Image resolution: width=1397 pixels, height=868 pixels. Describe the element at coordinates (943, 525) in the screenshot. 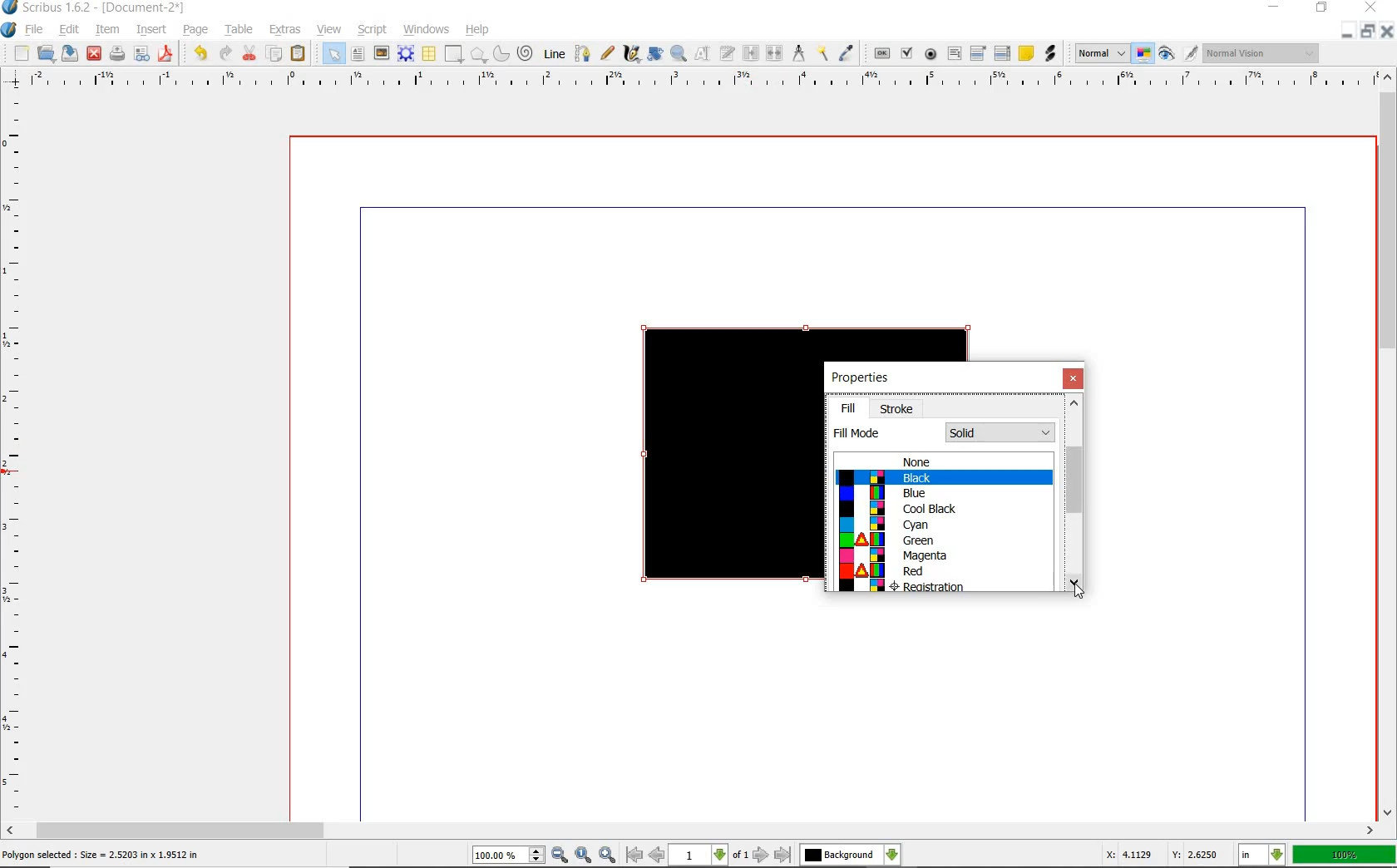

I see `Cyan` at that location.